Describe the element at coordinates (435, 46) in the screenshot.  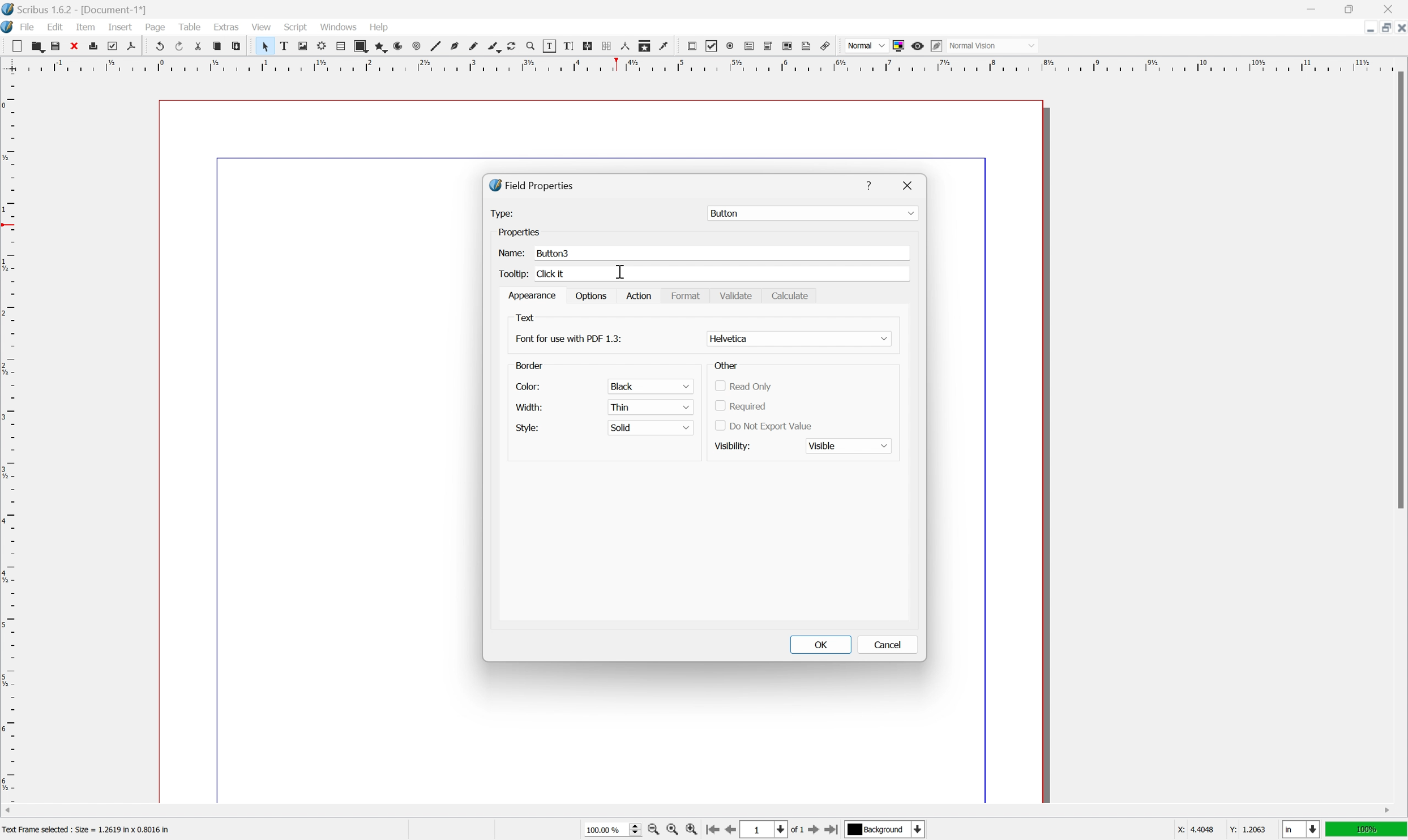
I see `line` at that location.